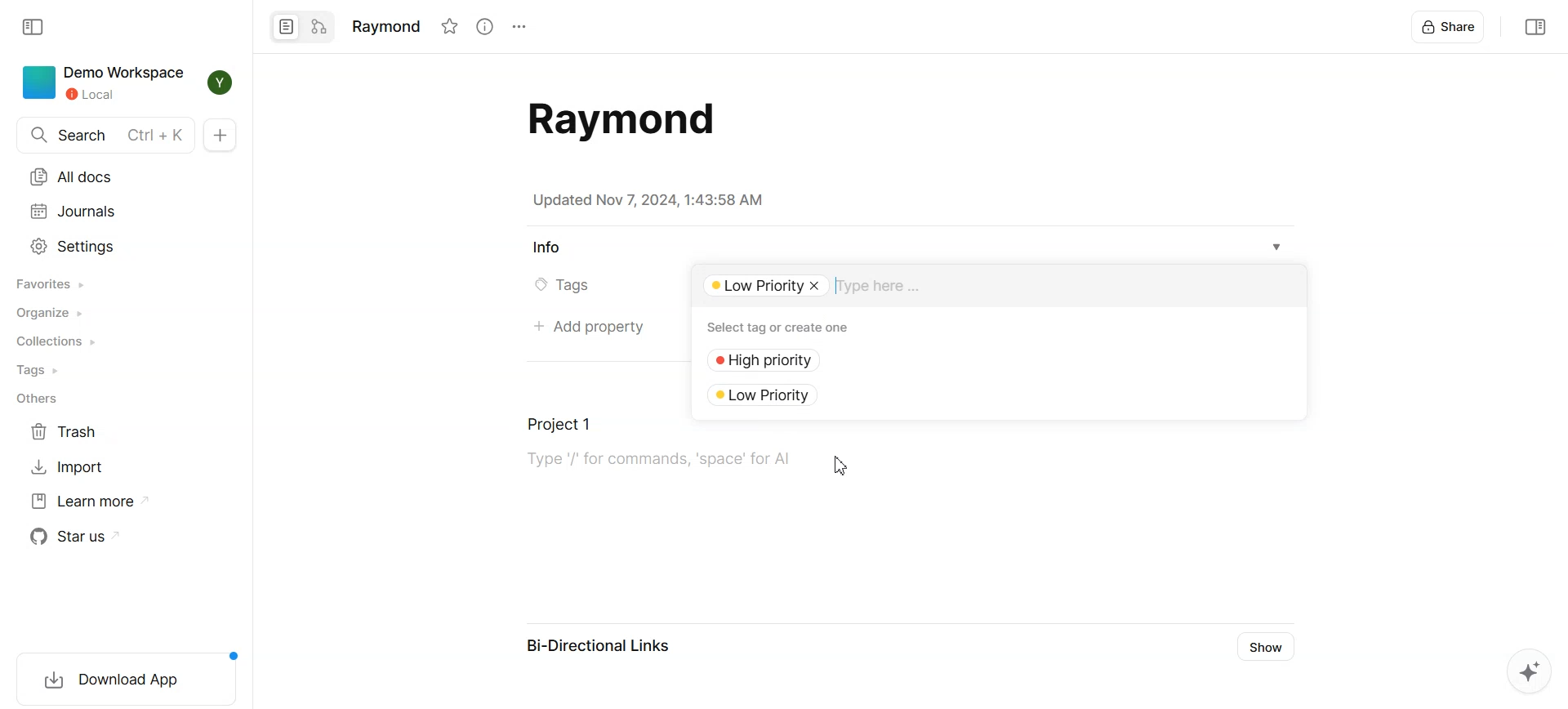 The height and width of the screenshot is (709, 1568). What do you see at coordinates (52, 283) in the screenshot?
I see `Favorites` at bounding box center [52, 283].